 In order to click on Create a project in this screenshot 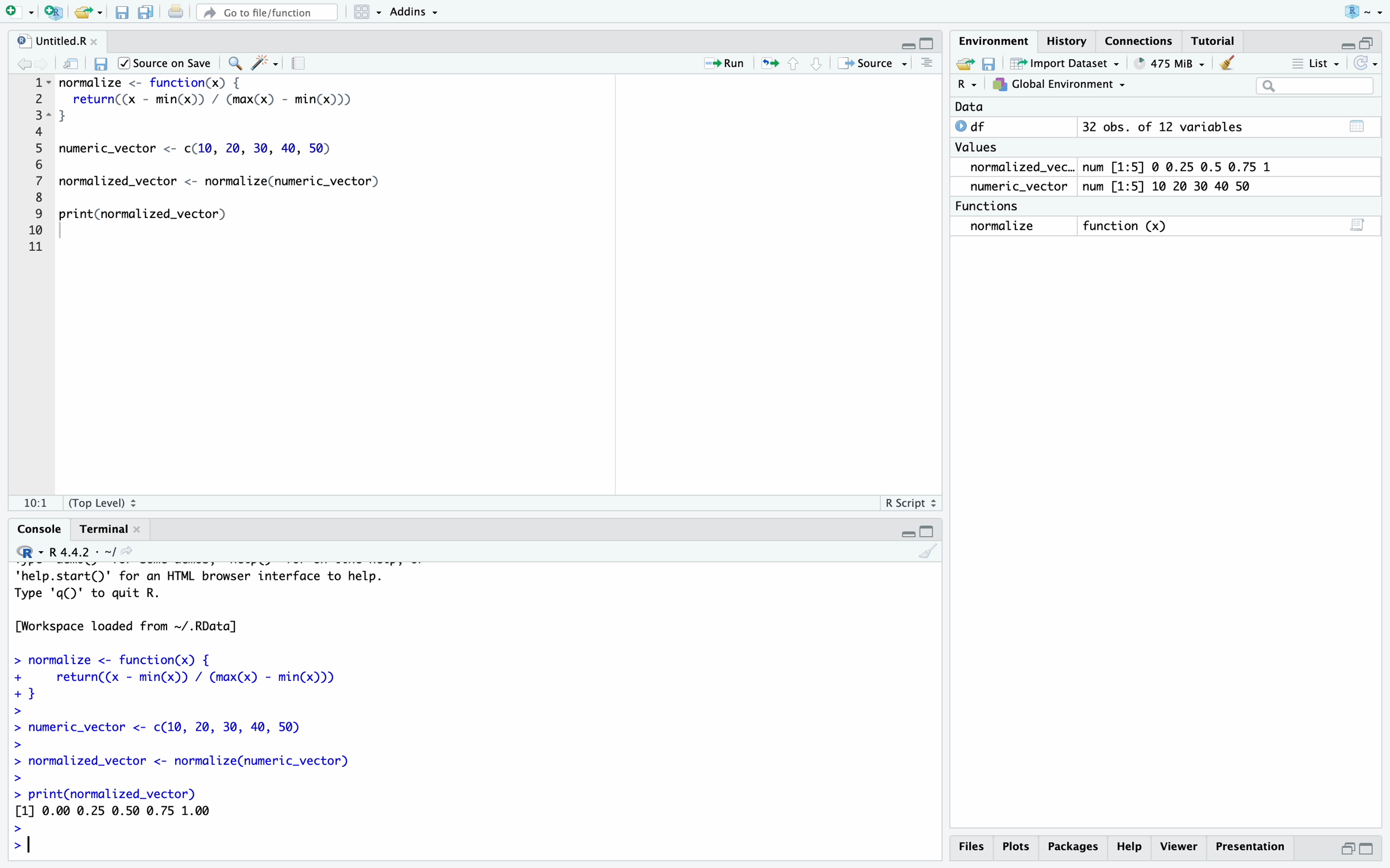, I will do `click(53, 13)`.